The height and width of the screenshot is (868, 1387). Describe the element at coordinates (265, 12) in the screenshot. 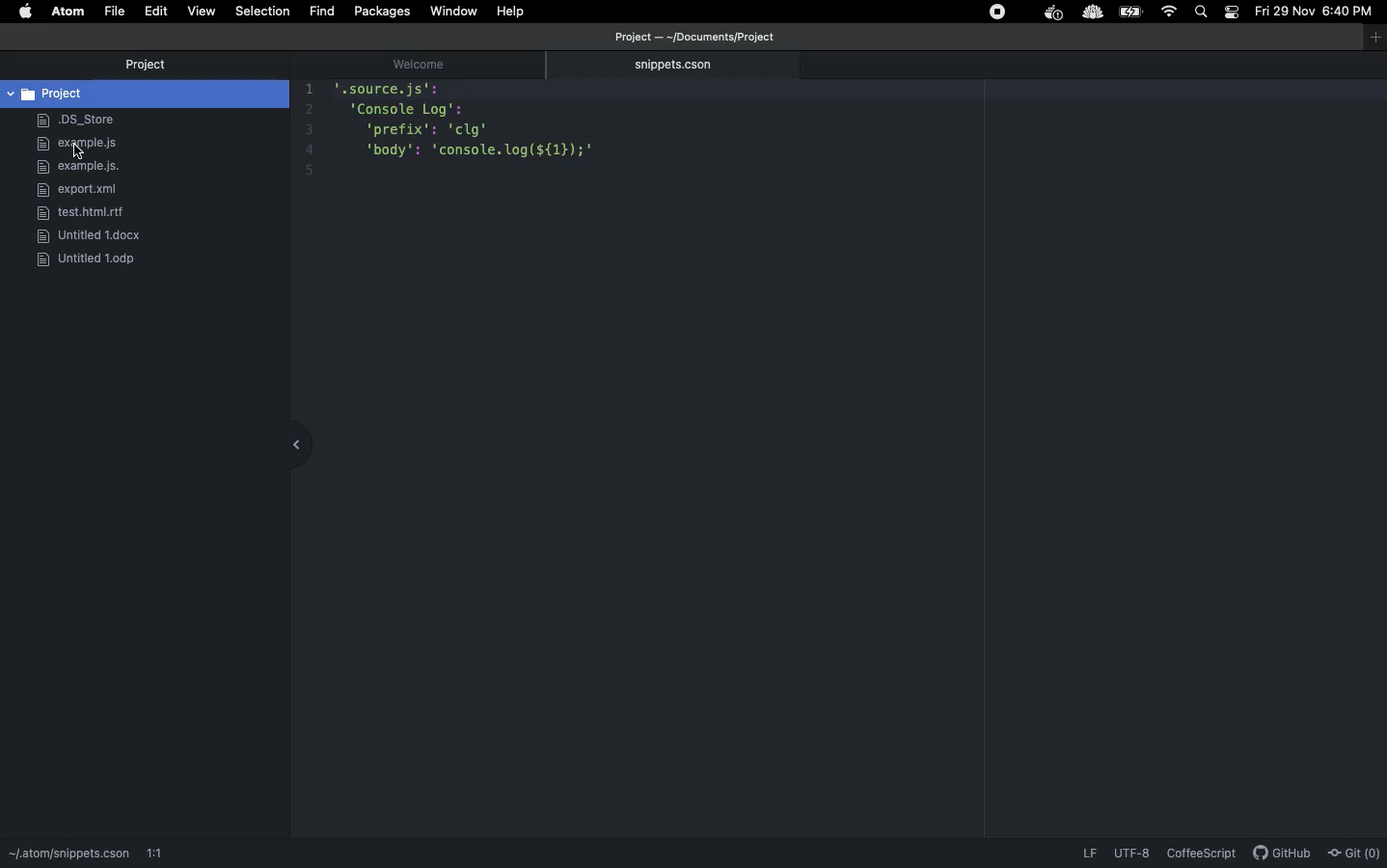

I see `Selection` at that location.